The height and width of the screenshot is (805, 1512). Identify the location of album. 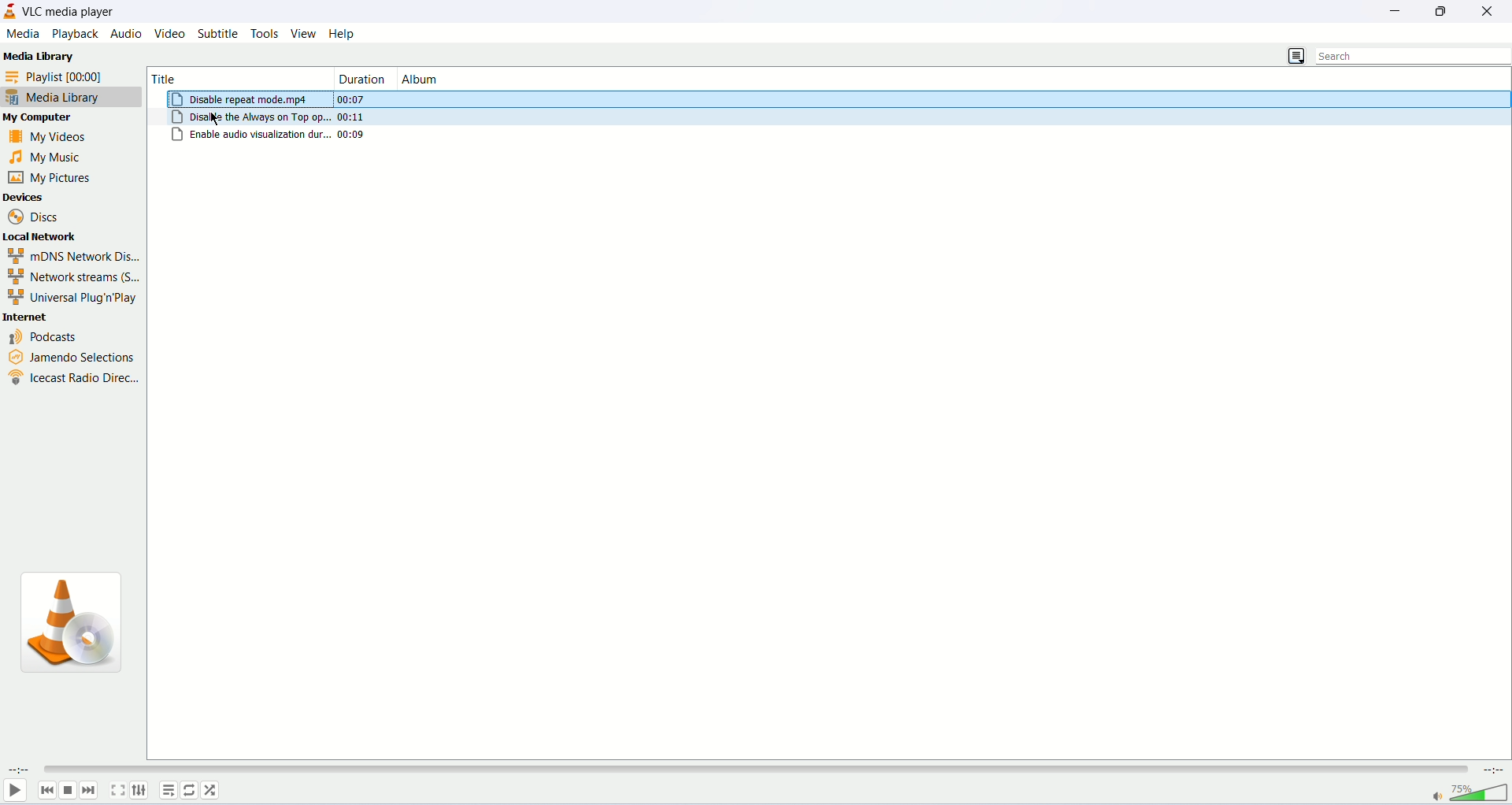
(467, 78).